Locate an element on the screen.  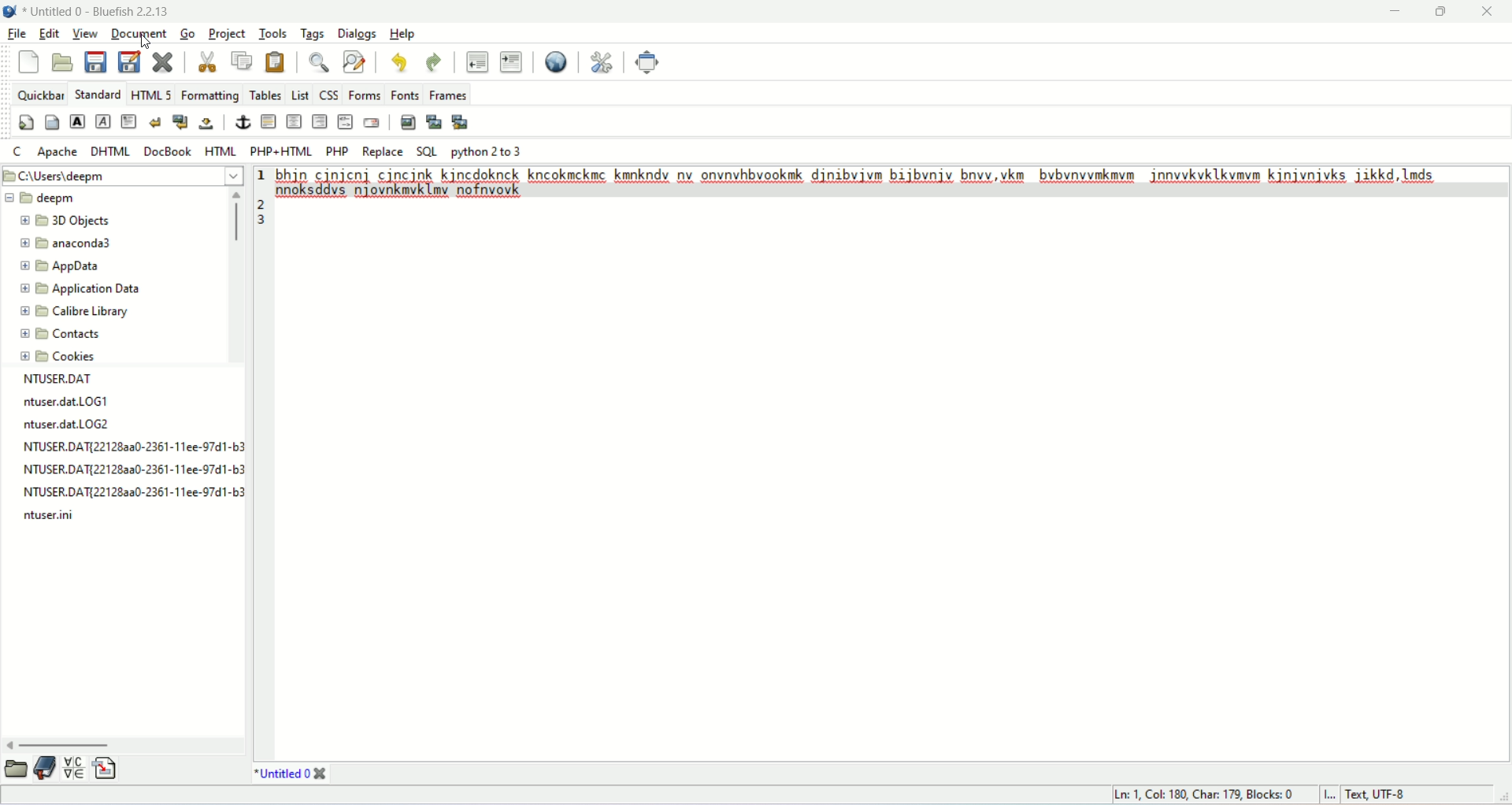
text is located at coordinates (886, 184).